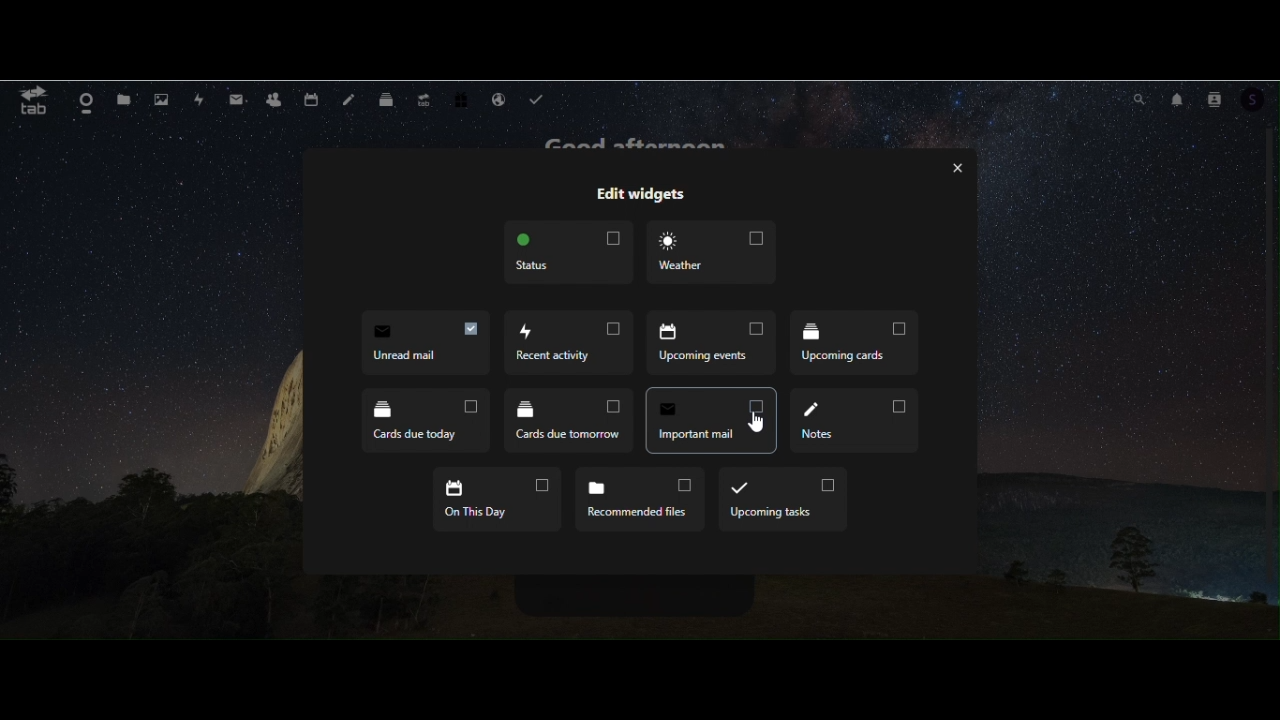  I want to click on Photos, so click(162, 101).